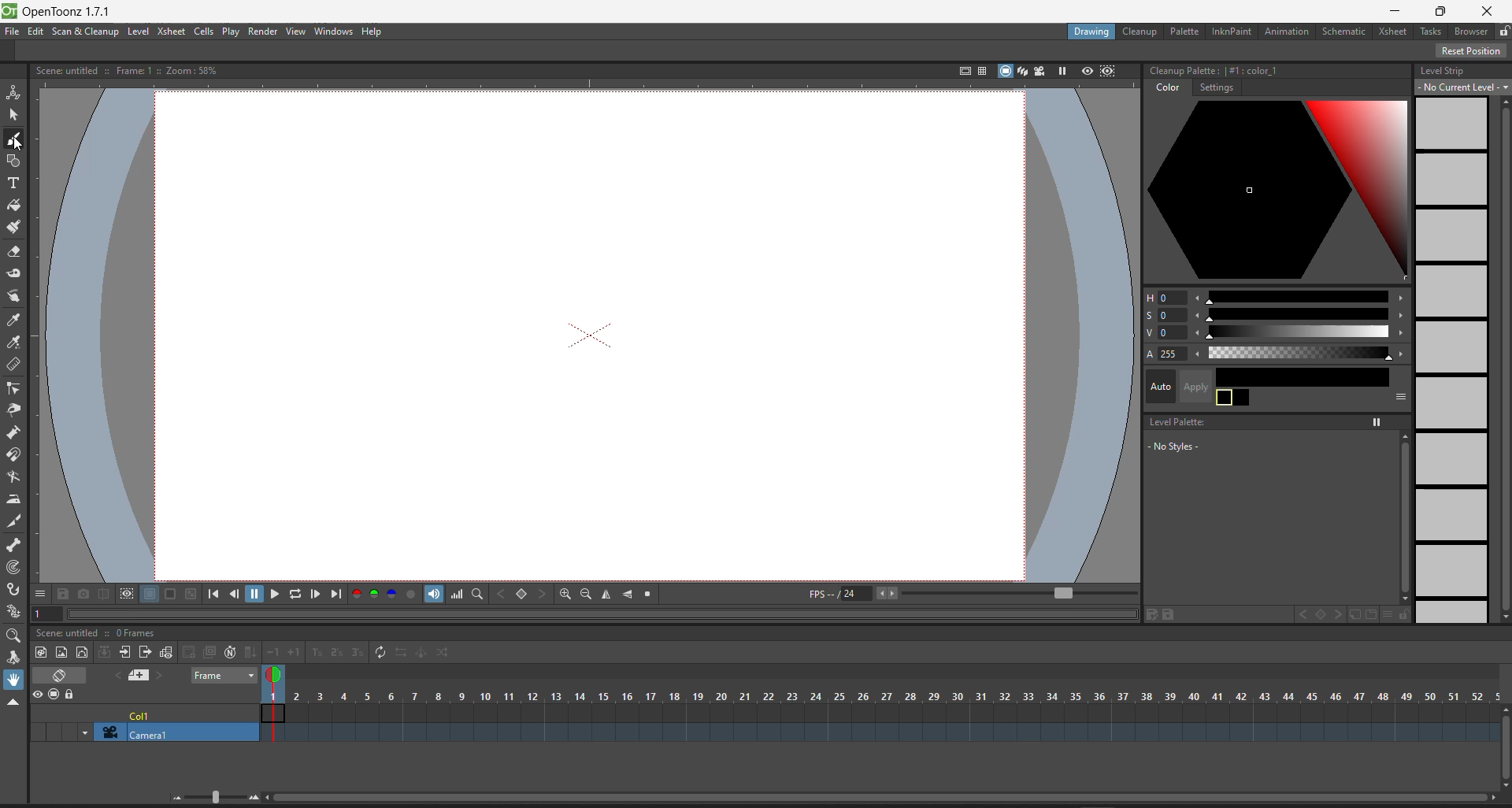  I want to click on vertical scroll bar, so click(1503, 358).